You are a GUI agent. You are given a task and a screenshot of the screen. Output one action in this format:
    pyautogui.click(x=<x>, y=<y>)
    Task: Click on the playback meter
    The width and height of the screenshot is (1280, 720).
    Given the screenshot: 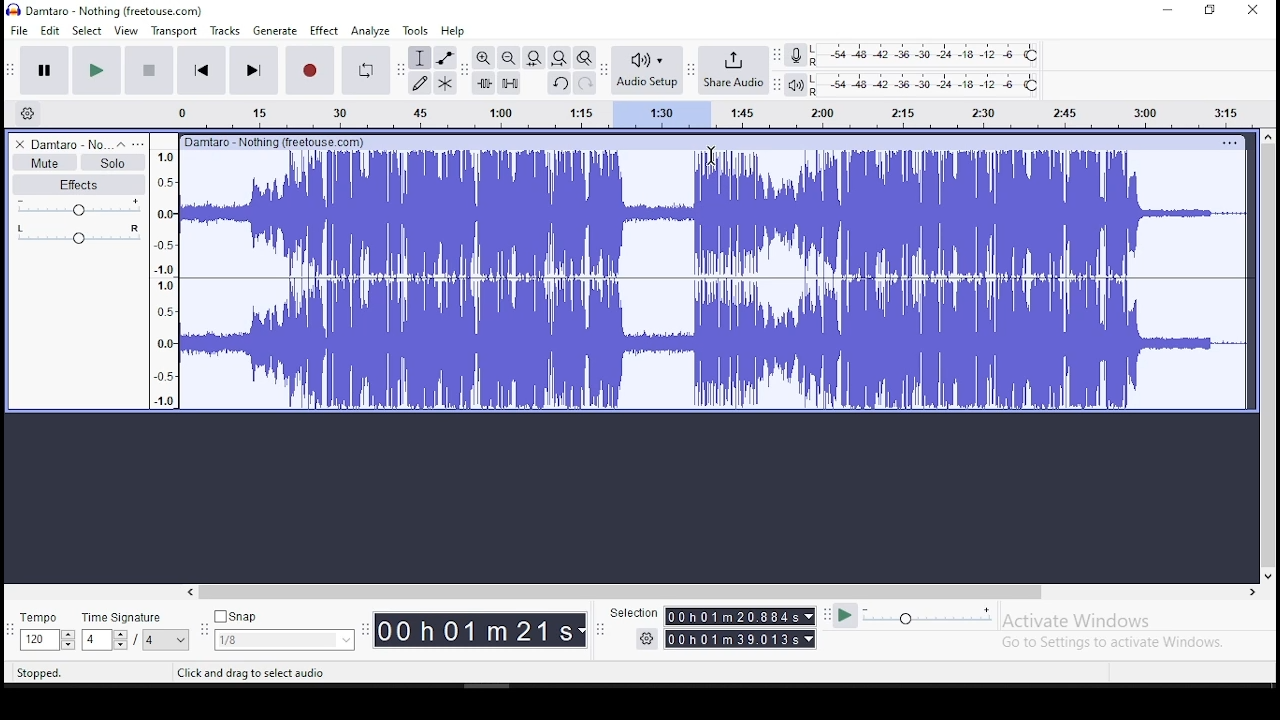 What is the action you would take?
    pyautogui.click(x=797, y=85)
    